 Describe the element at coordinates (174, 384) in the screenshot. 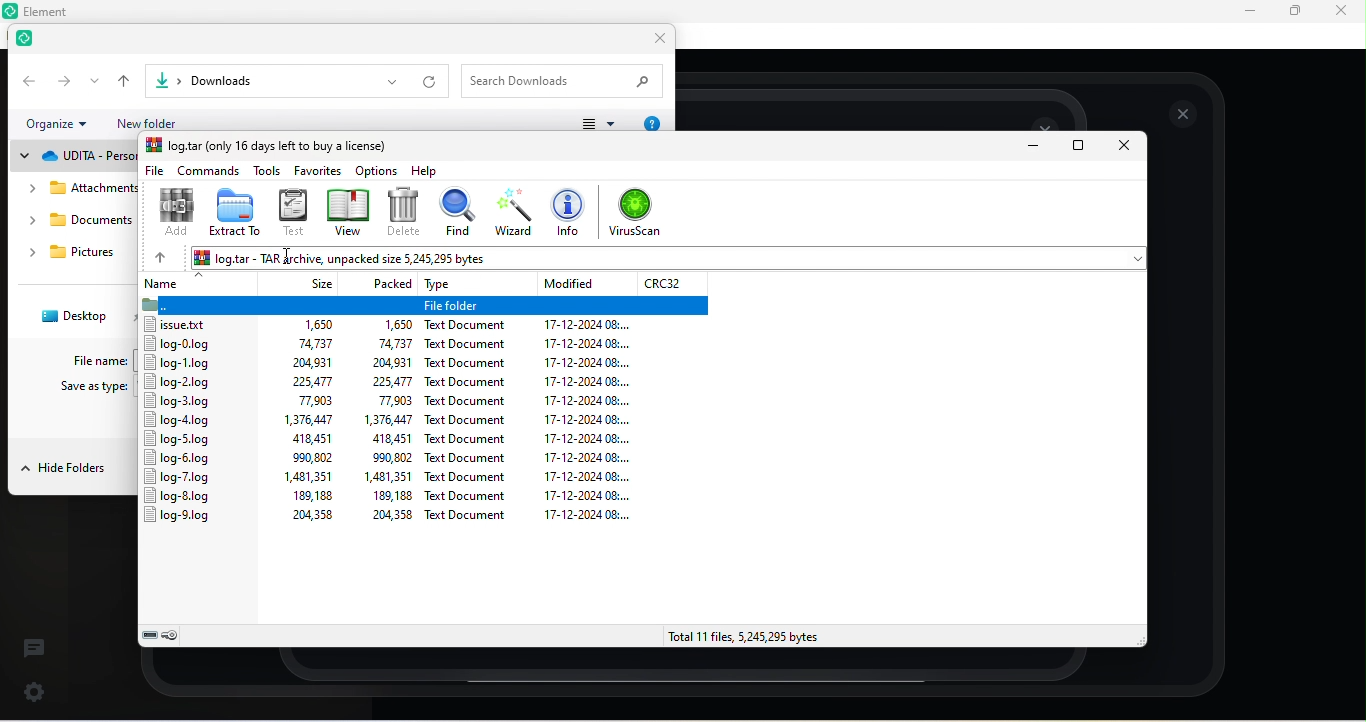

I see `log-2.log` at that location.